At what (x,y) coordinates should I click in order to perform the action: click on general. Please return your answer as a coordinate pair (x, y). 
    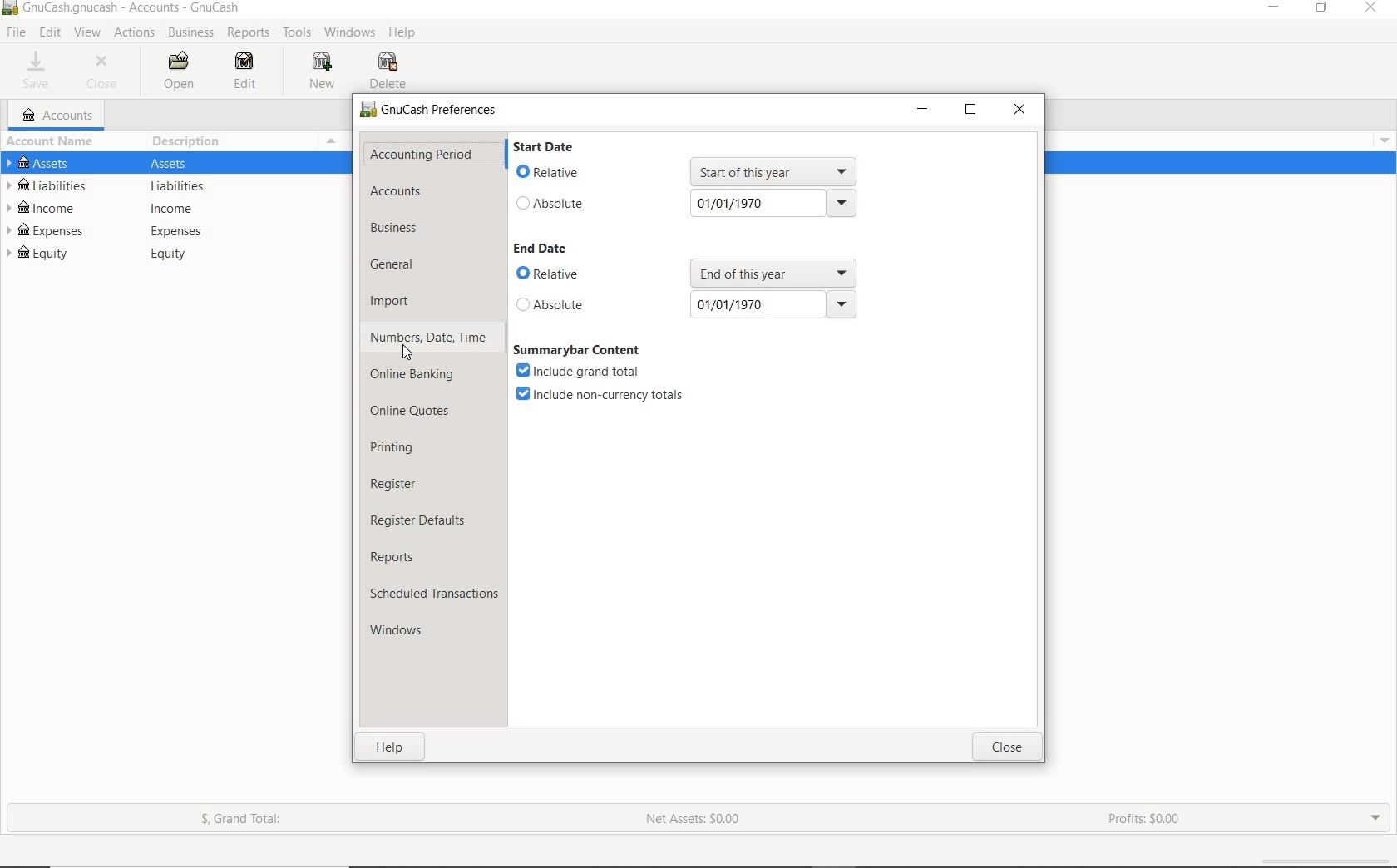
    Looking at the image, I should click on (402, 266).